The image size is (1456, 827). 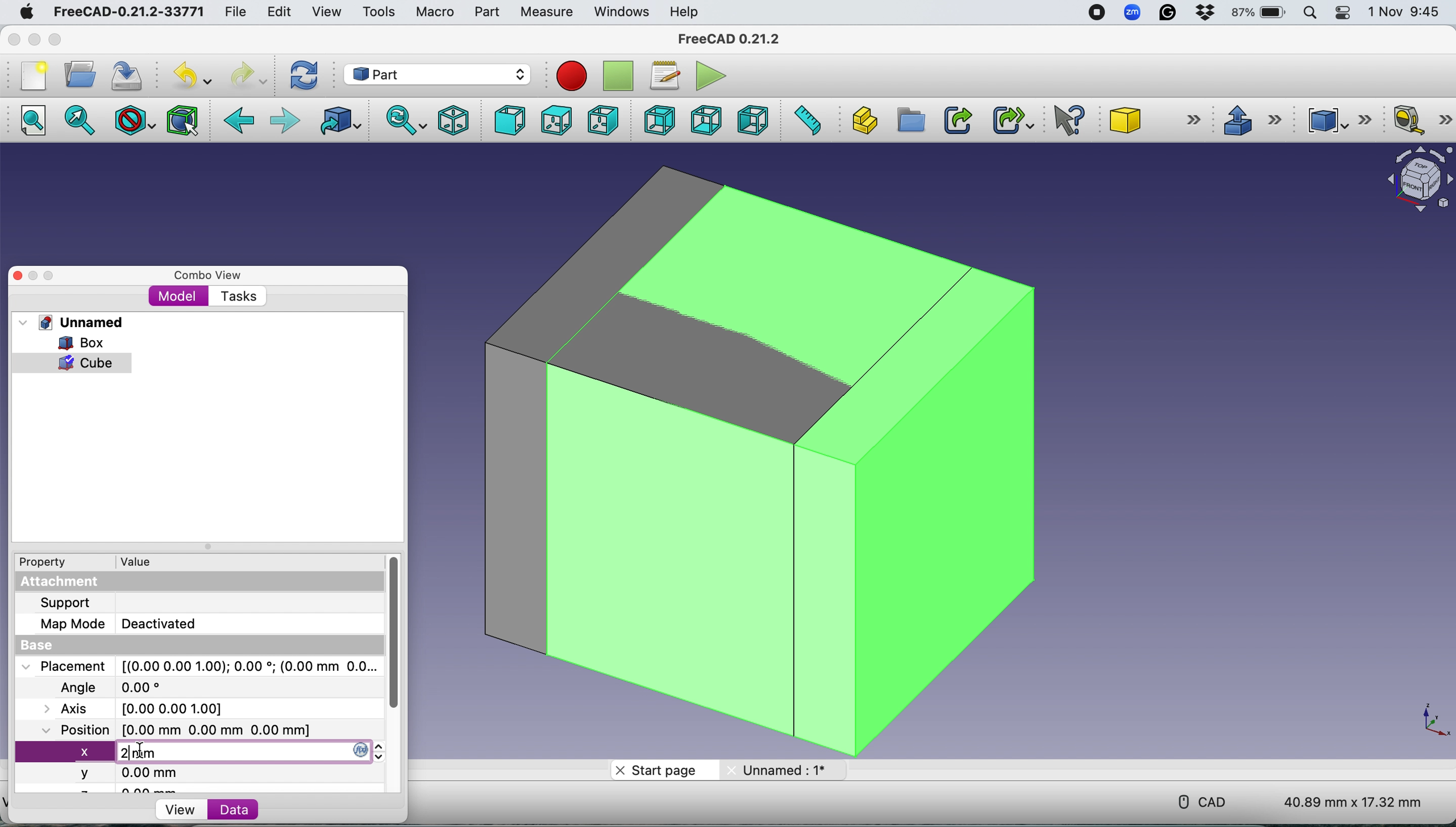 I want to click on Tools, so click(x=378, y=11).